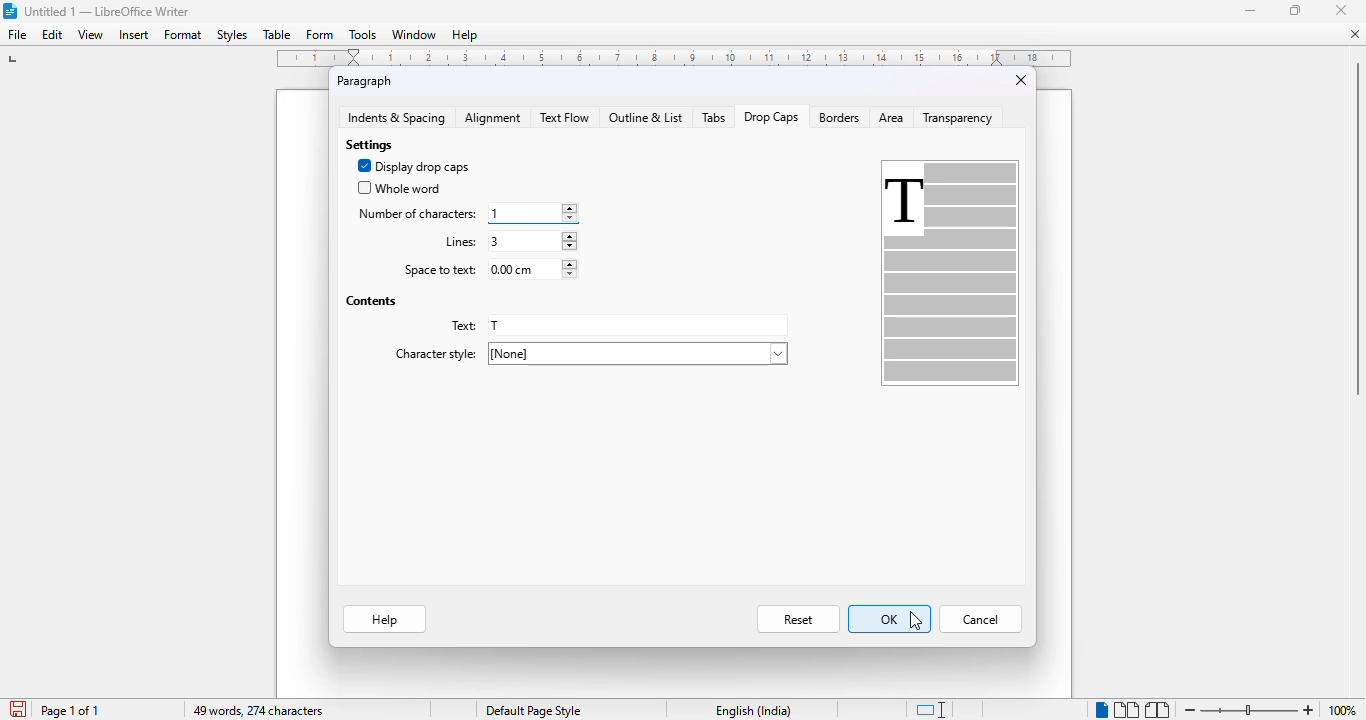 Image resolution: width=1366 pixels, height=720 pixels. I want to click on cancel, so click(981, 619).